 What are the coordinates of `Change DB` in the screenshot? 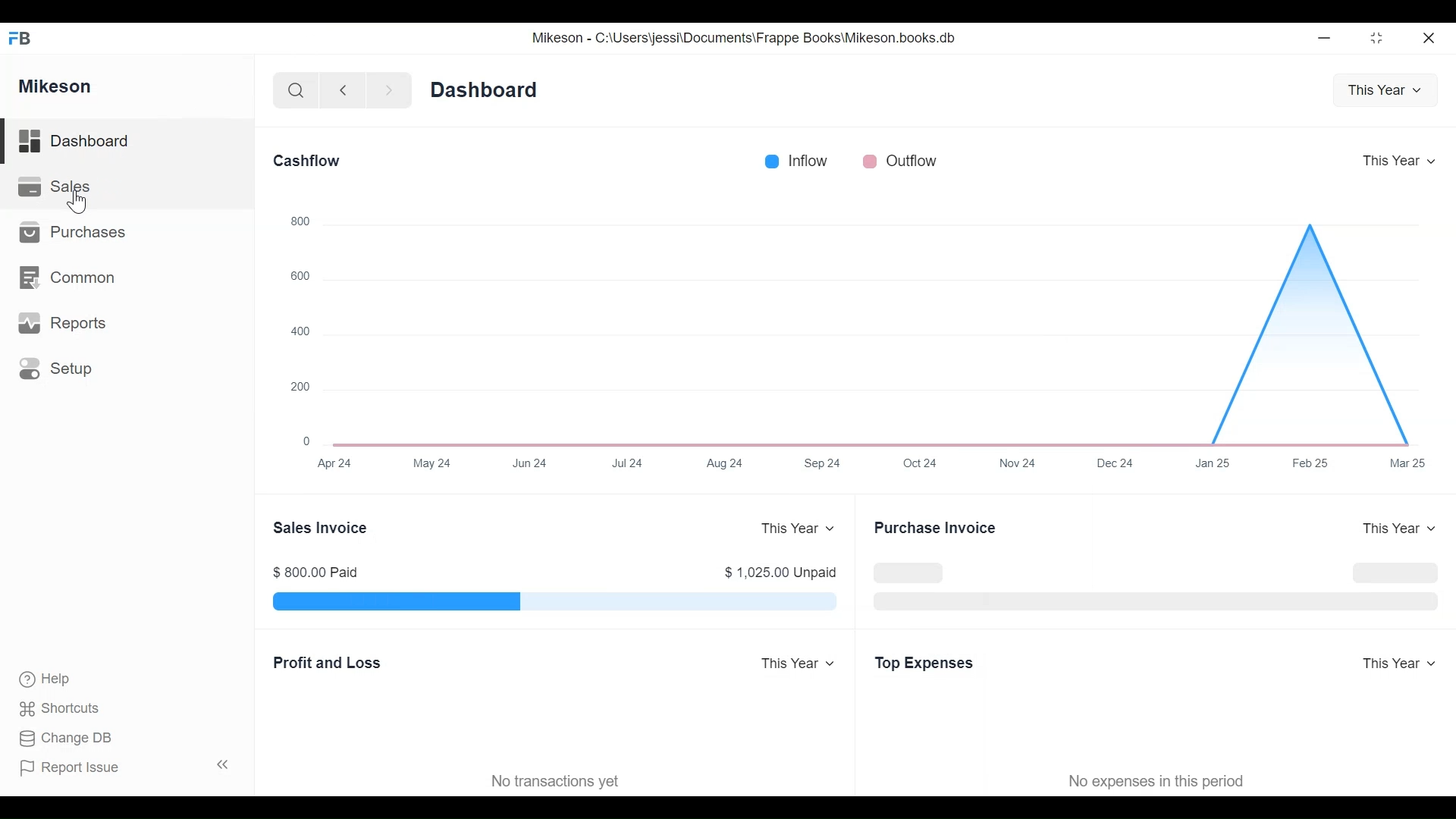 It's located at (70, 739).